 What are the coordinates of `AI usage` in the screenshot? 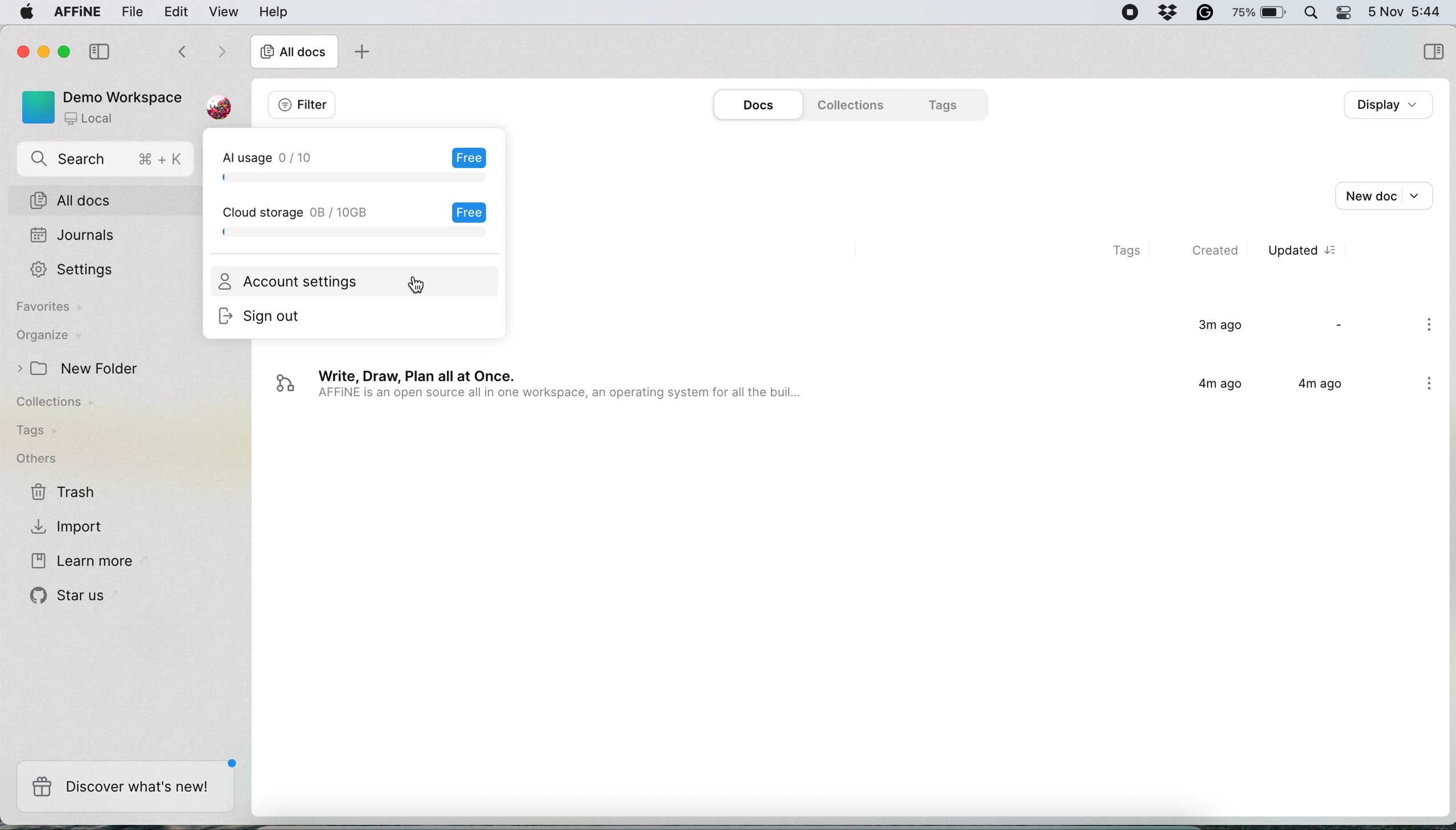 It's located at (365, 164).